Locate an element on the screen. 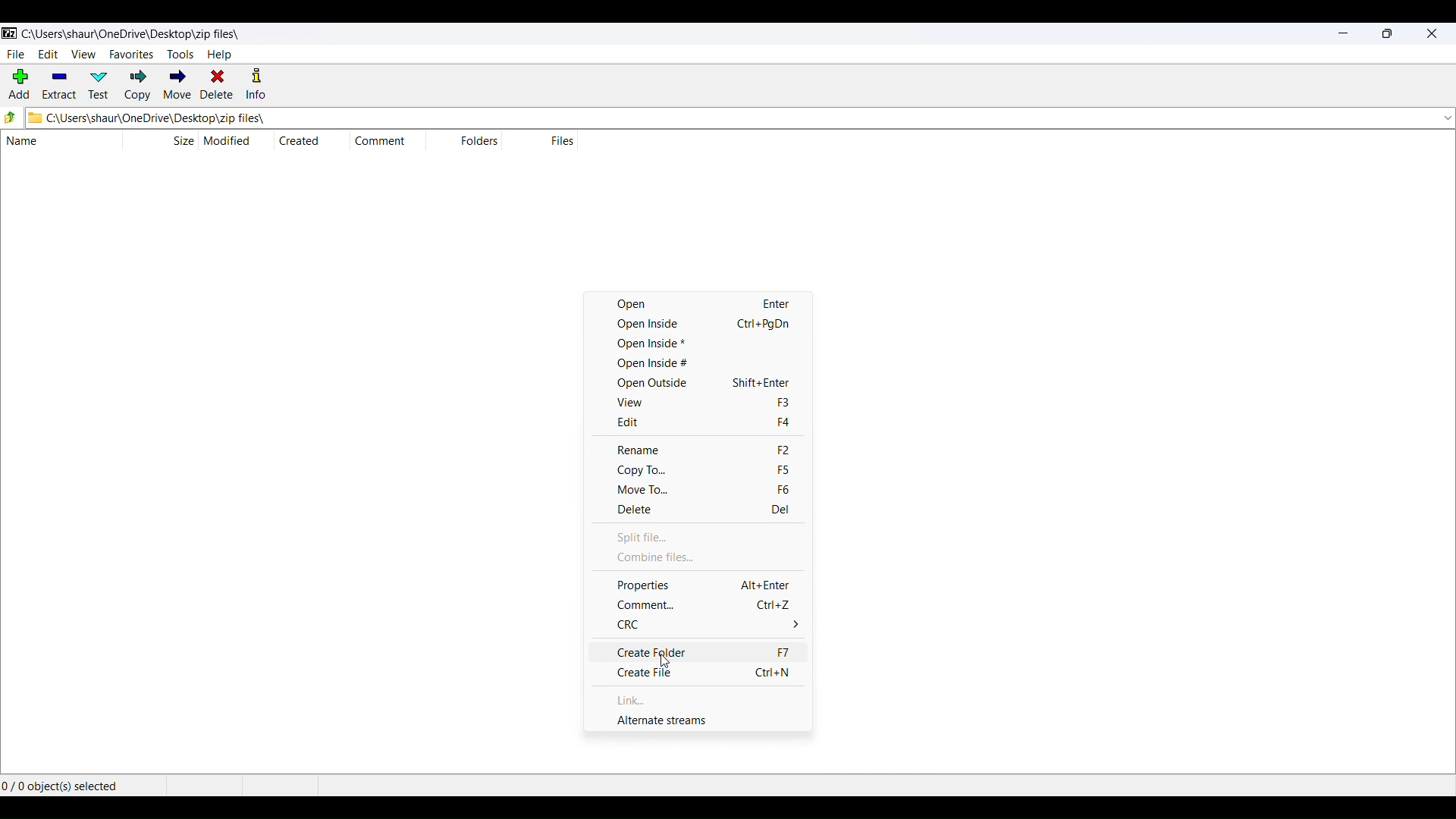 Image resolution: width=1456 pixels, height=819 pixels. NUMBER OF OBJECT SELECTED is located at coordinates (80, 783).